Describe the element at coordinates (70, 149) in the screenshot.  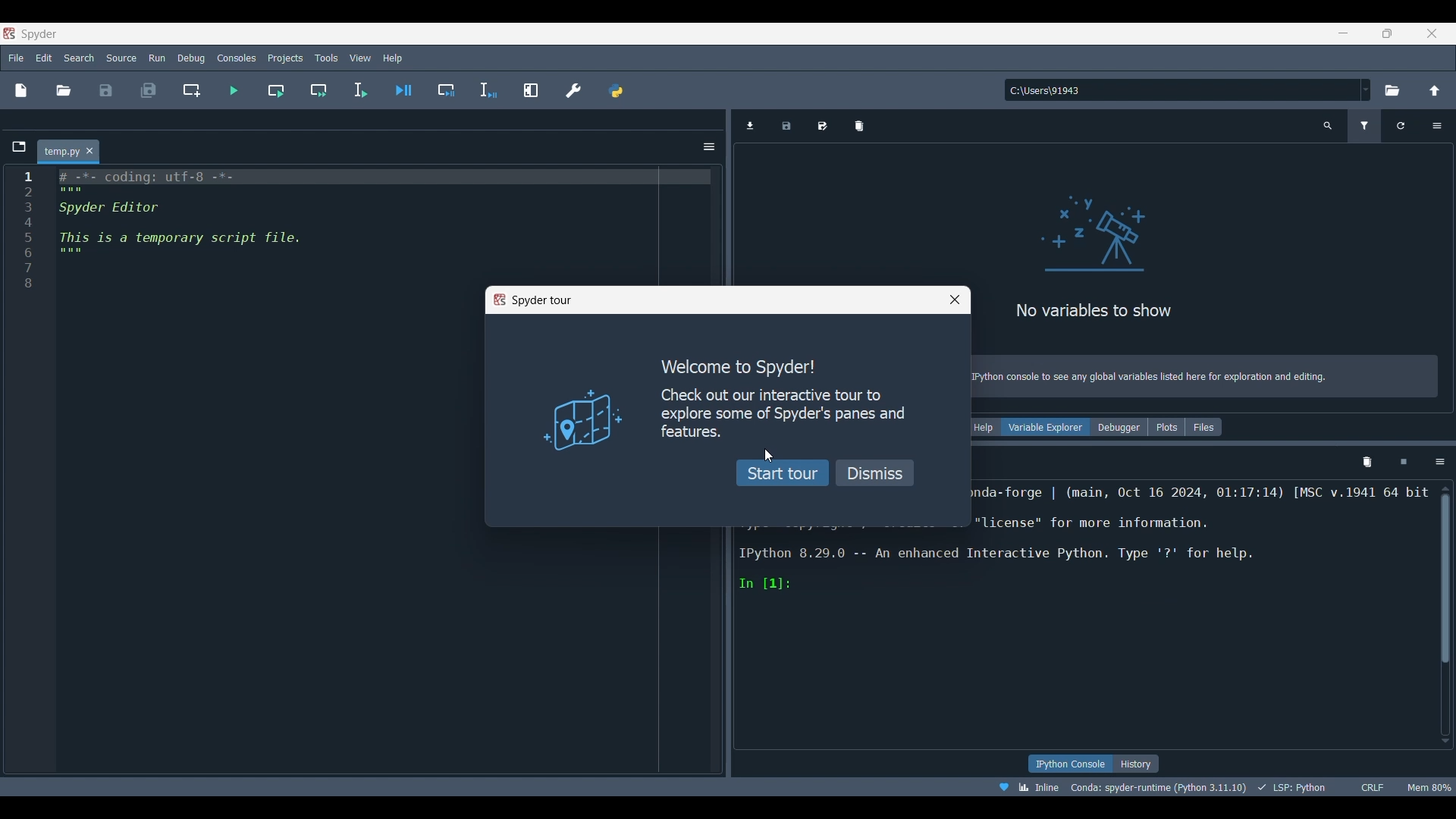
I see `temp.py tabs` at that location.